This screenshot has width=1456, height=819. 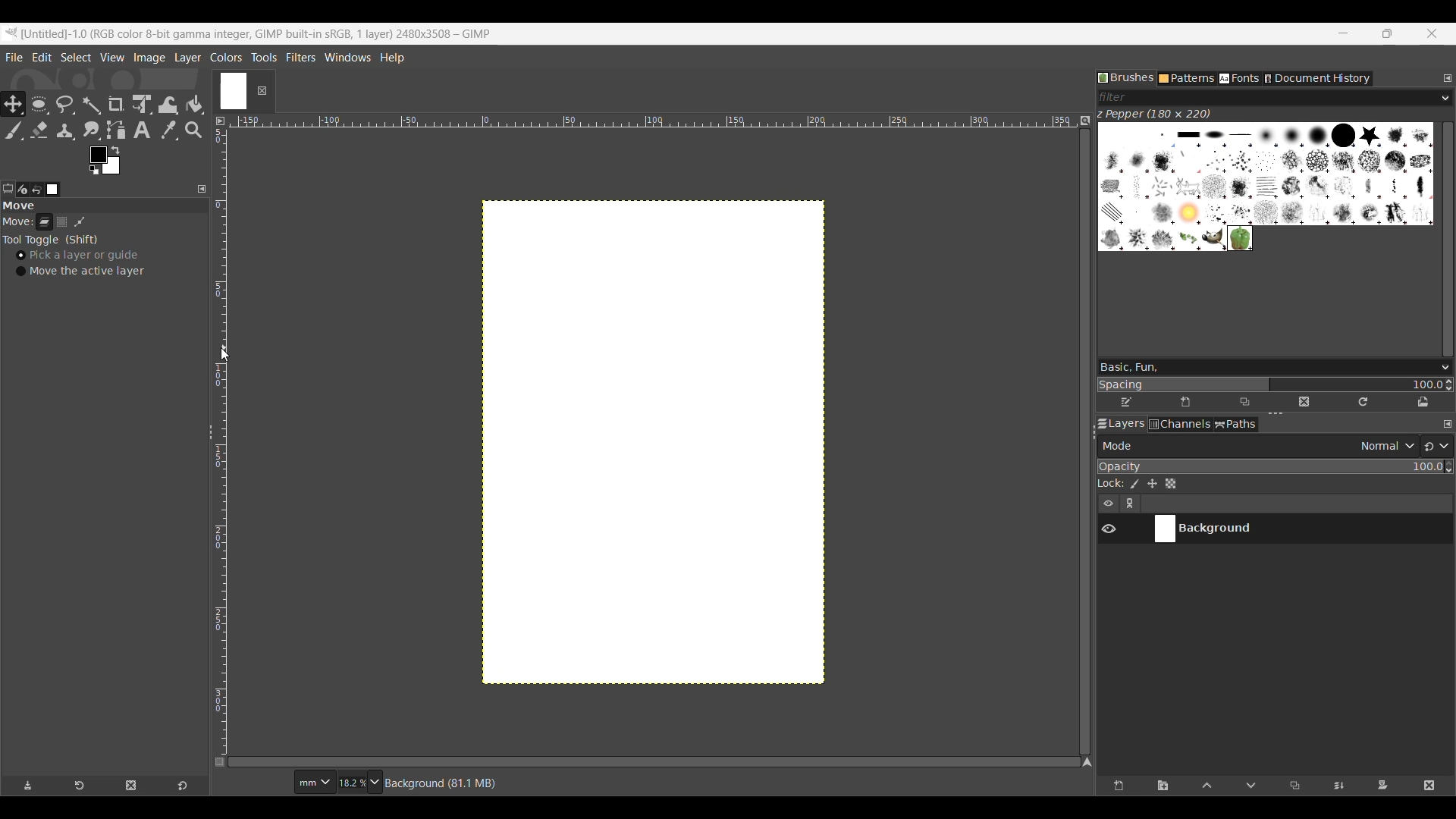 I want to click on Current zoom factor, so click(x=351, y=783).